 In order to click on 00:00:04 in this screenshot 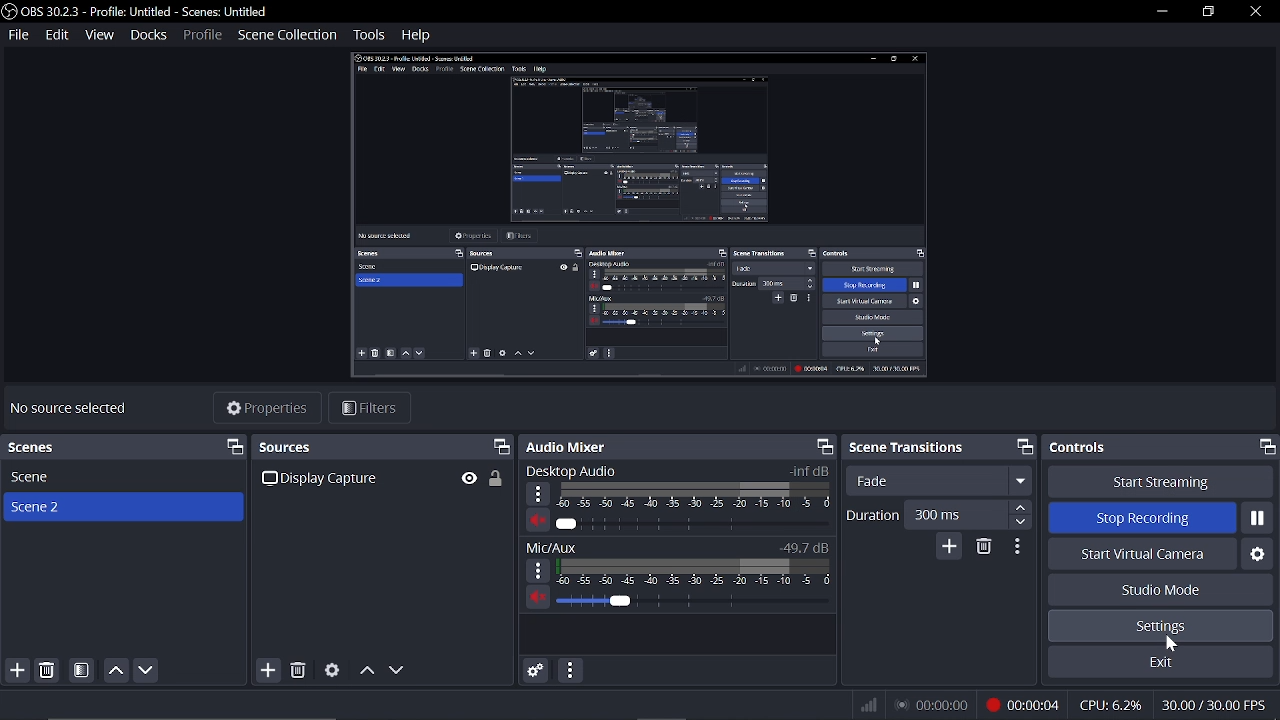, I will do `click(1026, 704)`.